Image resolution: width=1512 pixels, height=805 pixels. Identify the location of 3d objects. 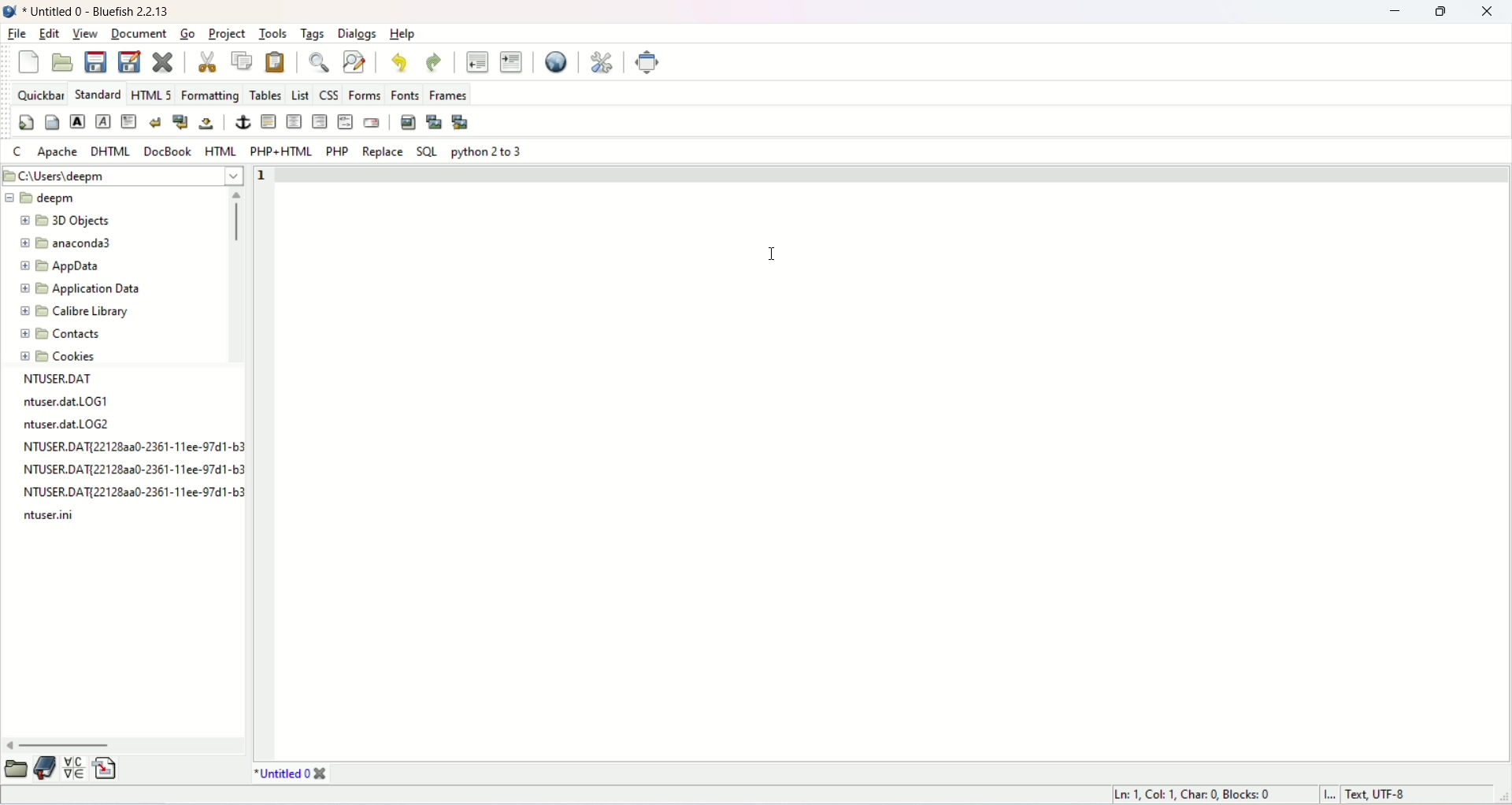
(59, 222).